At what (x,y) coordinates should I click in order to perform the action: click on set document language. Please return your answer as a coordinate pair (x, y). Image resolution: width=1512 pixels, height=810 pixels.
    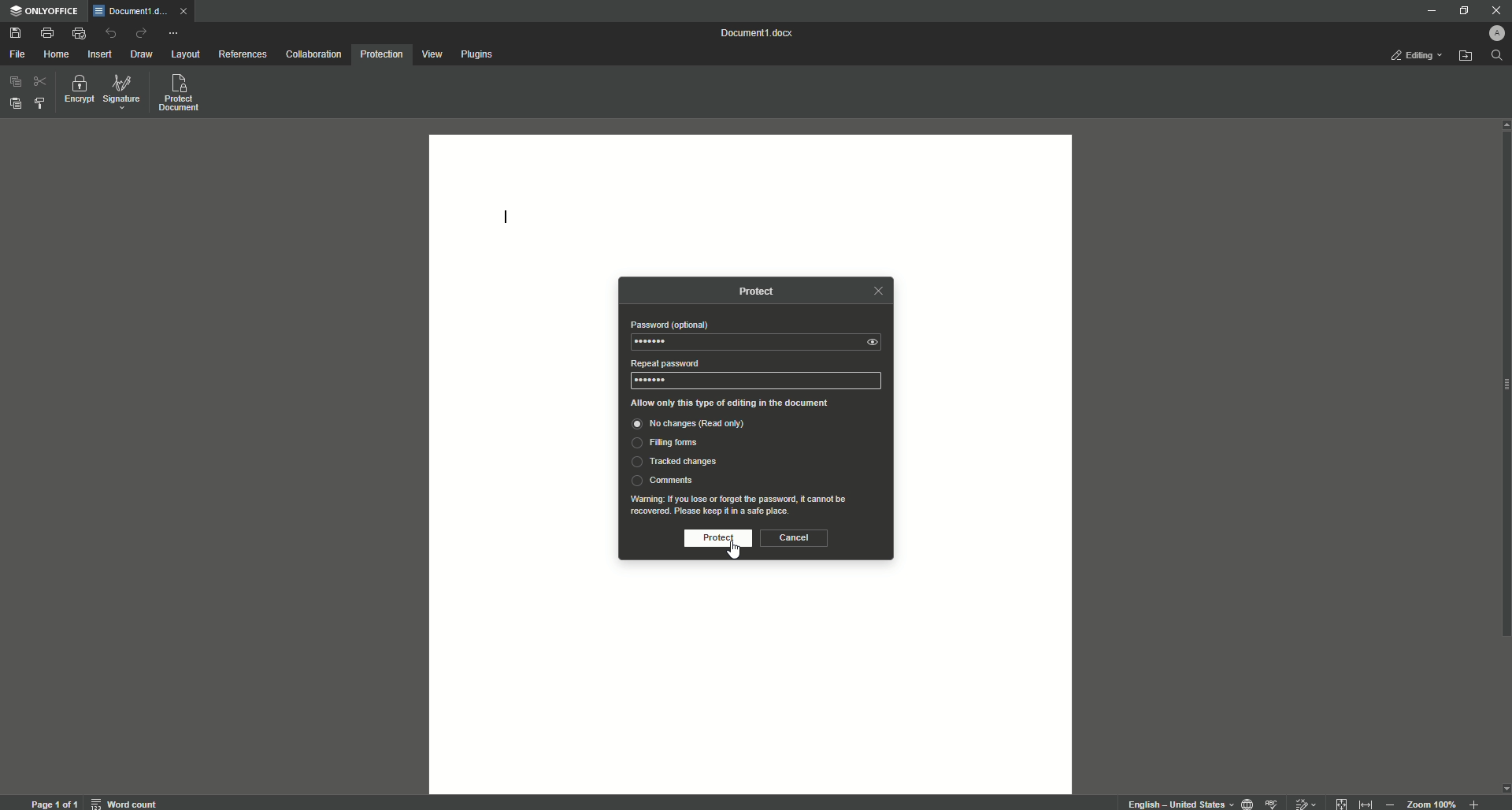
    Looking at the image, I should click on (1247, 802).